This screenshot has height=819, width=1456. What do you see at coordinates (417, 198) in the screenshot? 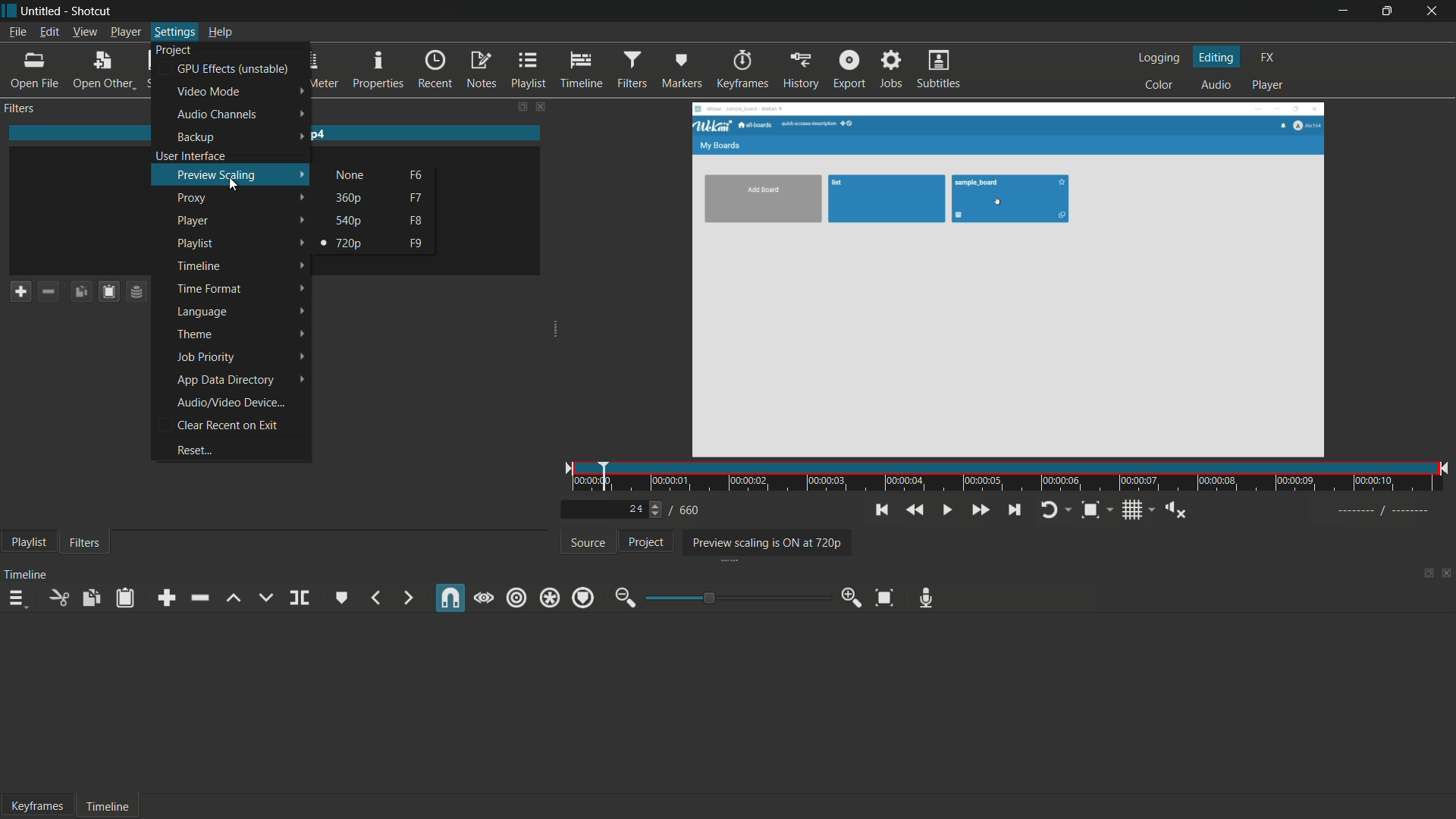
I see `keyboard shortcut` at bounding box center [417, 198].